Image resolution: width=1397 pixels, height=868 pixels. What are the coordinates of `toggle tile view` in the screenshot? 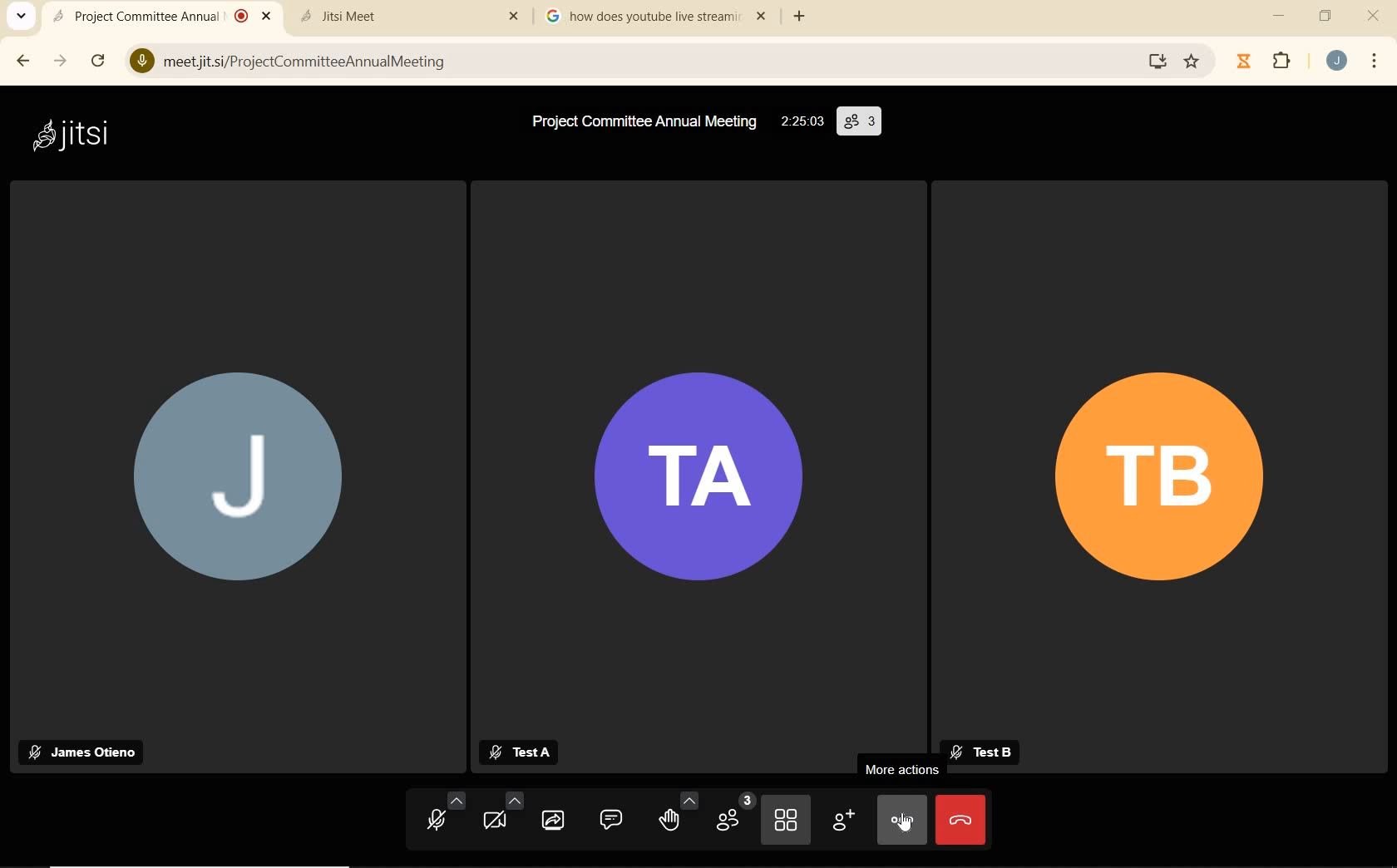 It's located at (786, 821).